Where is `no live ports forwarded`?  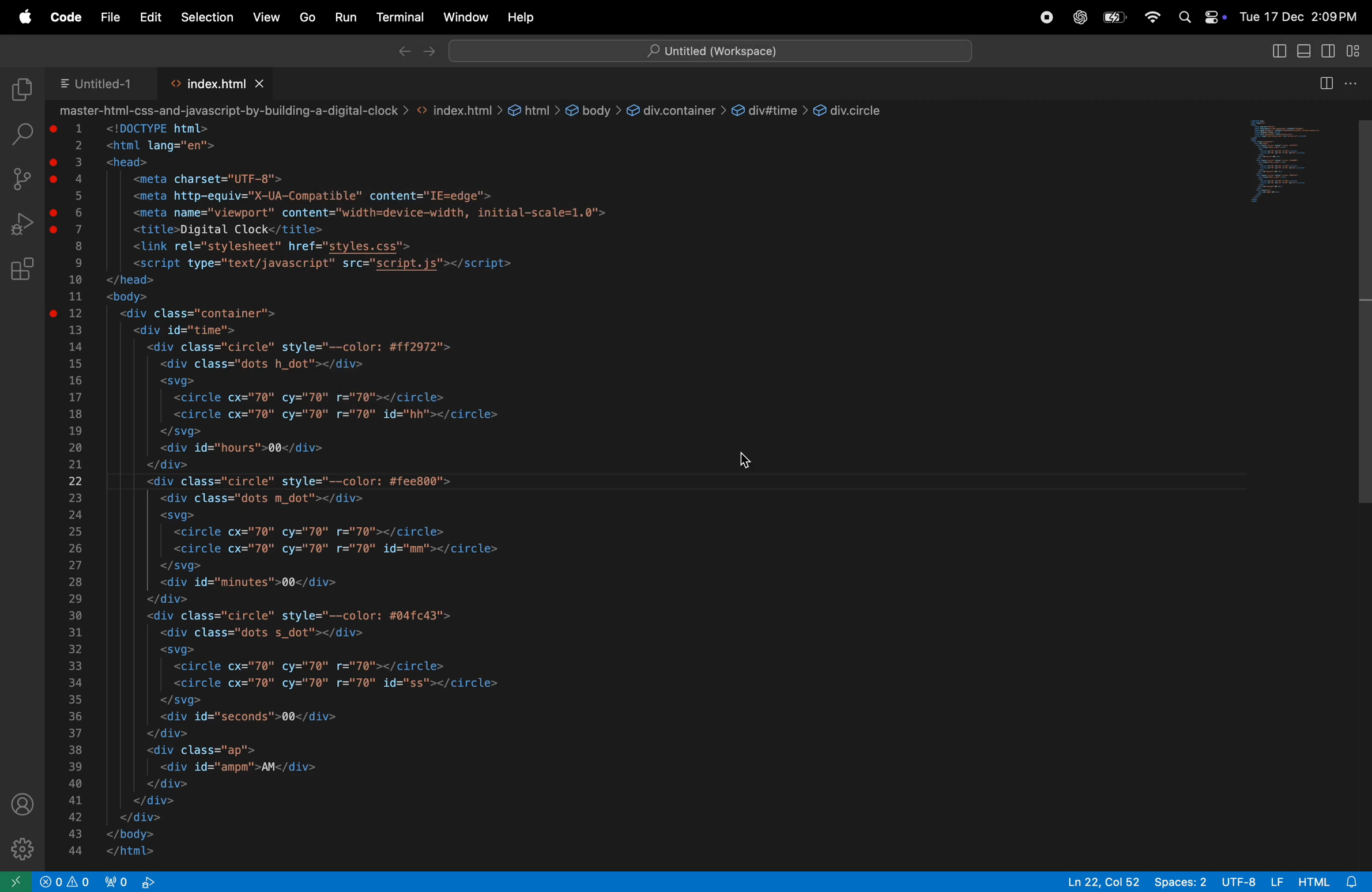 no live ports forwarded is located at coordinates (150, 882).